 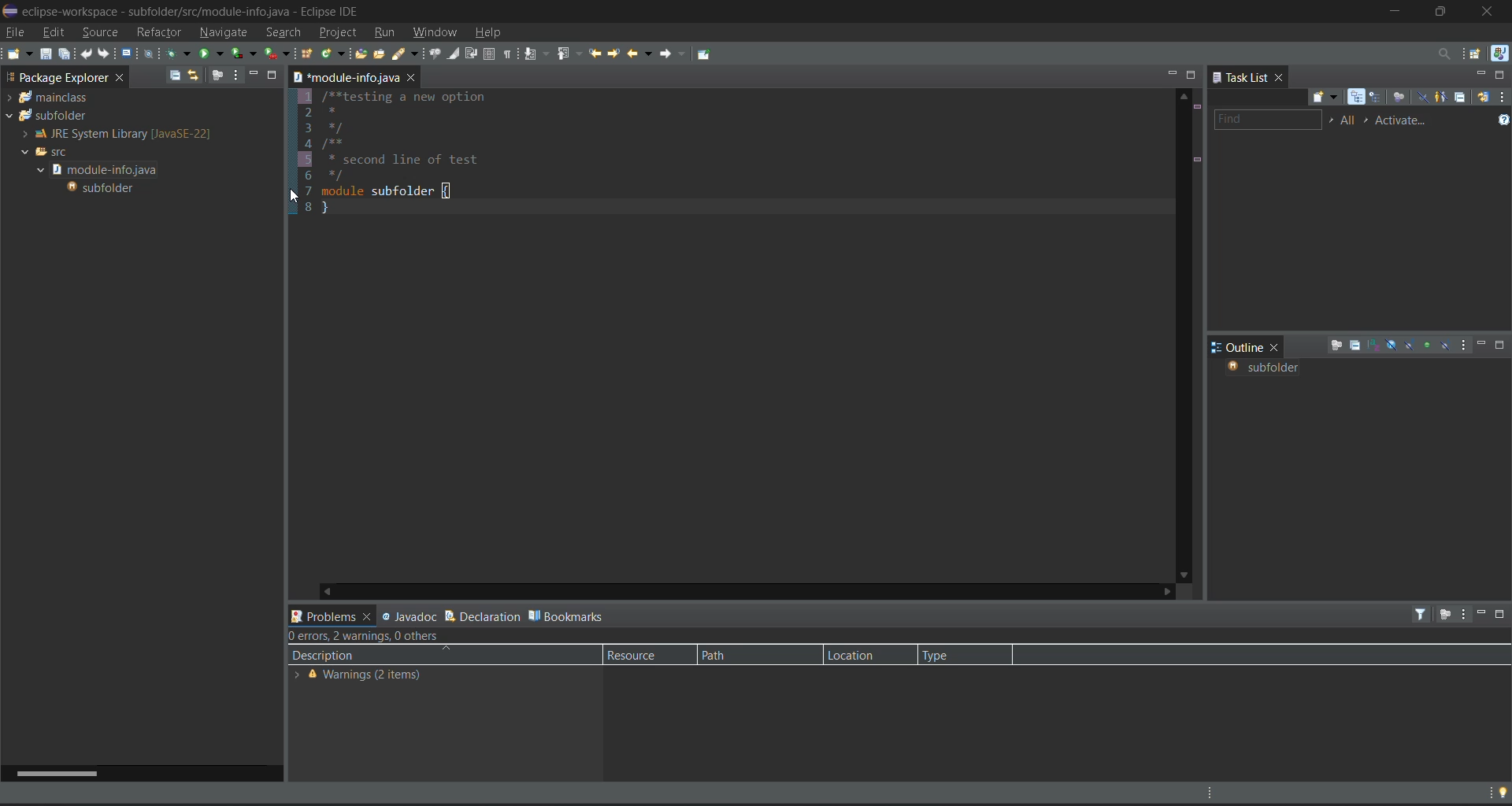 What do you see at coordinates (53, 772) in the screenshot?
I see `horizontal scroll bar` at bounding box center [53, 772].